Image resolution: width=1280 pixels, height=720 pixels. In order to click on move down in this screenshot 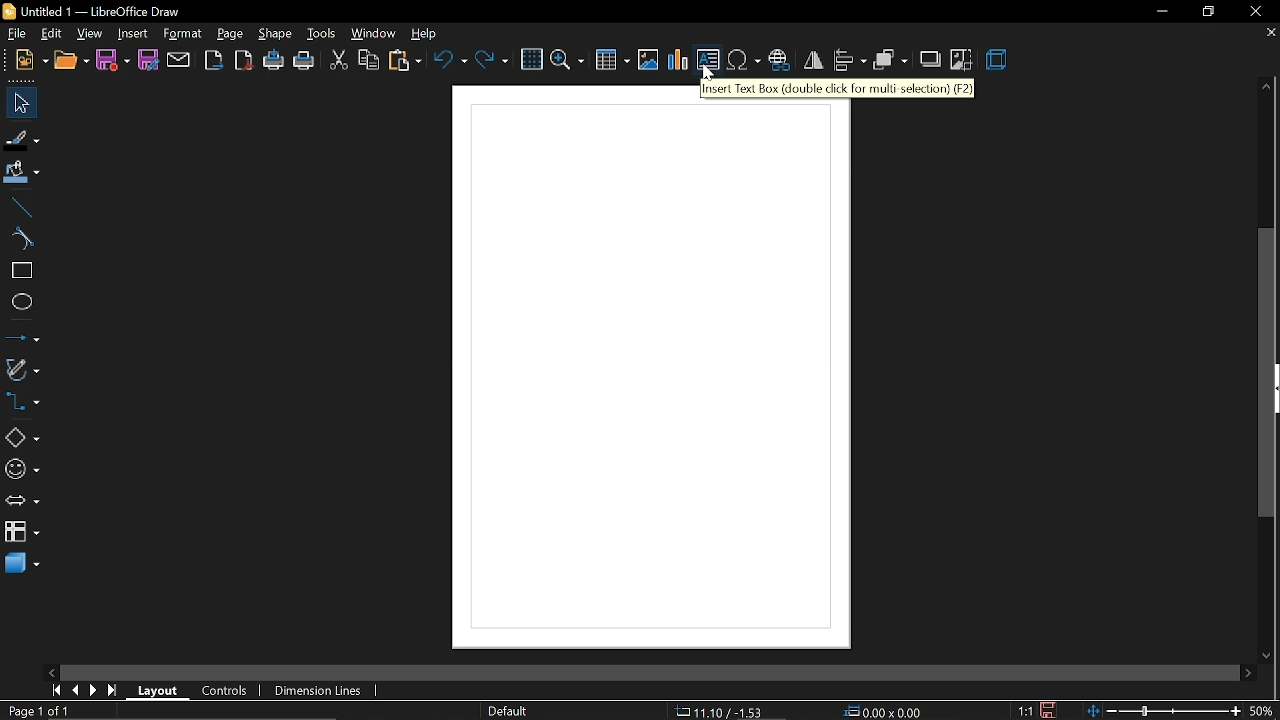, I will do `click(1270, 652)`.